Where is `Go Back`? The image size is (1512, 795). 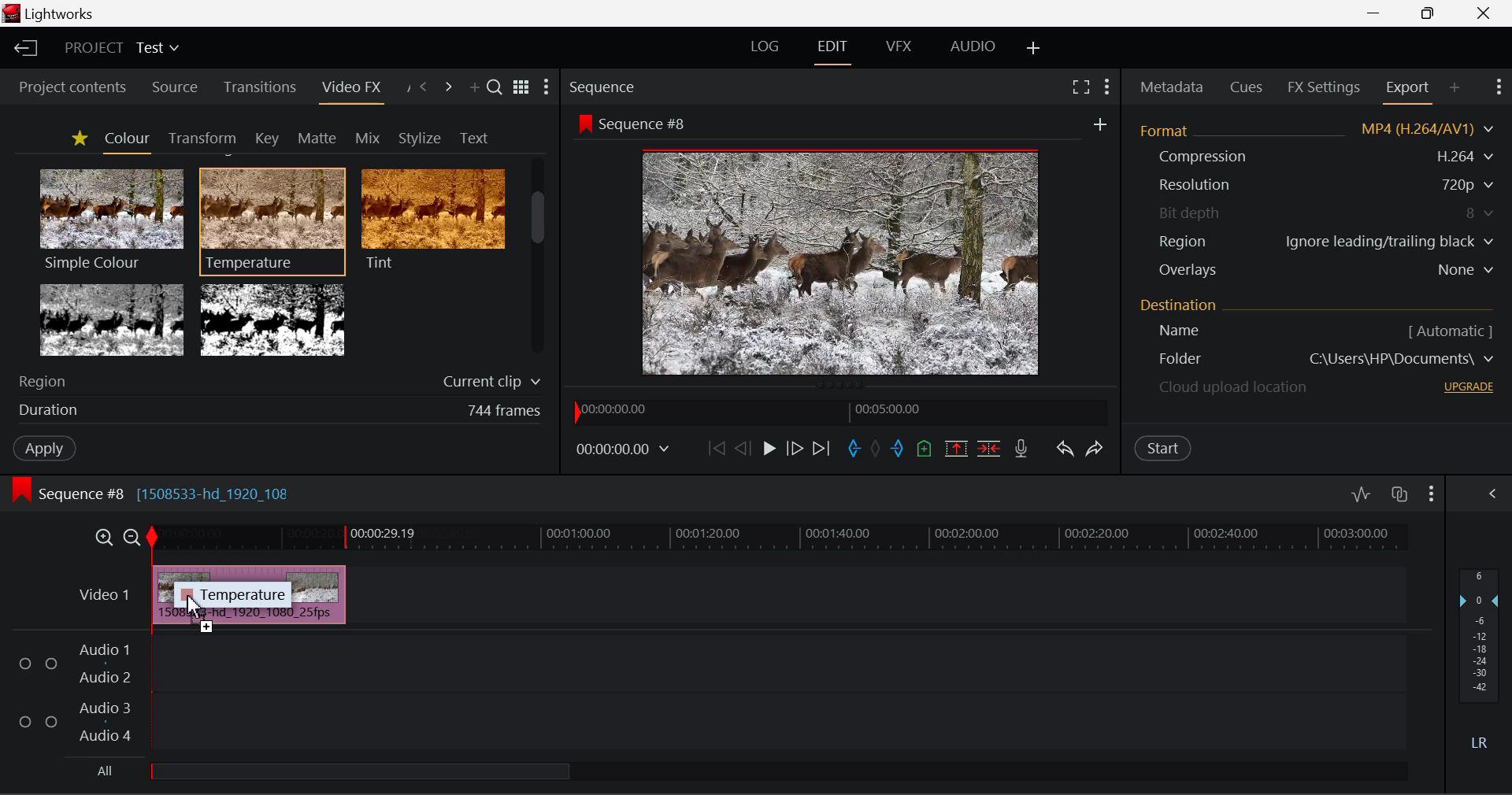
Go Back is located at coordinates (743, 449).